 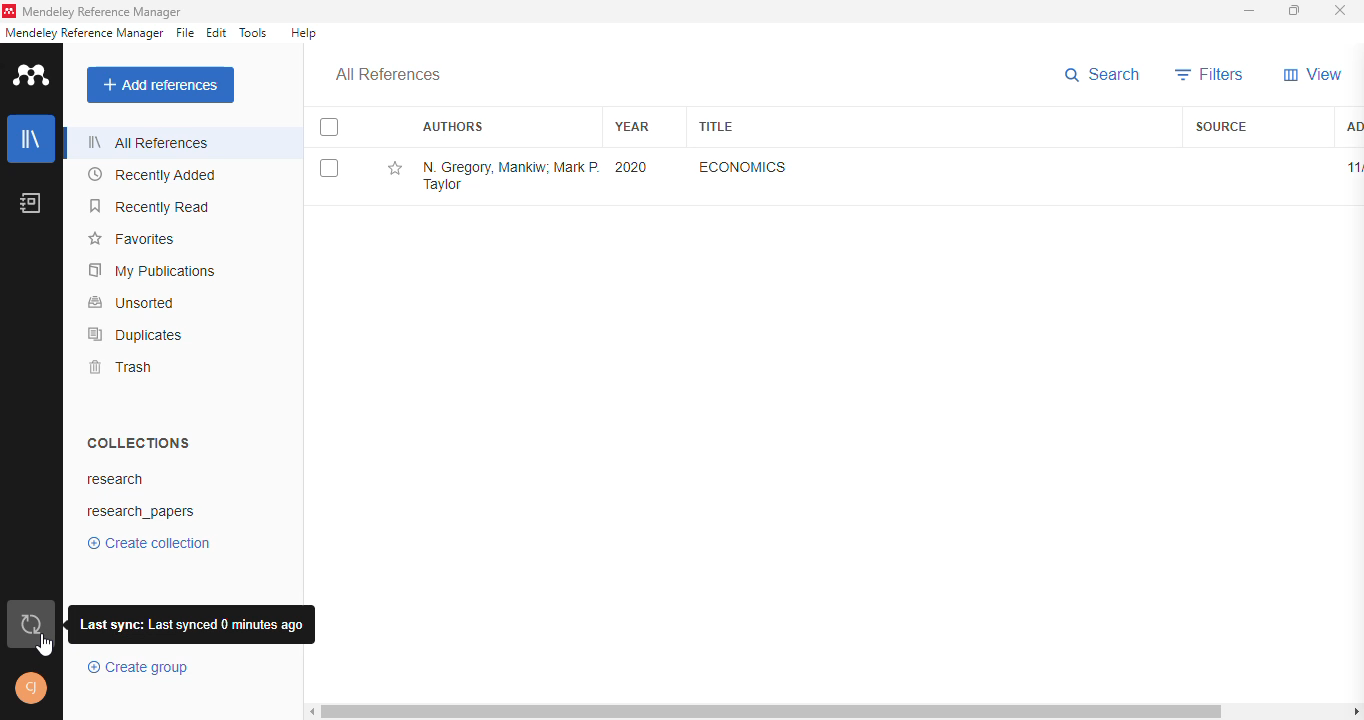 I want to click on library, so click(x=31, y=138).